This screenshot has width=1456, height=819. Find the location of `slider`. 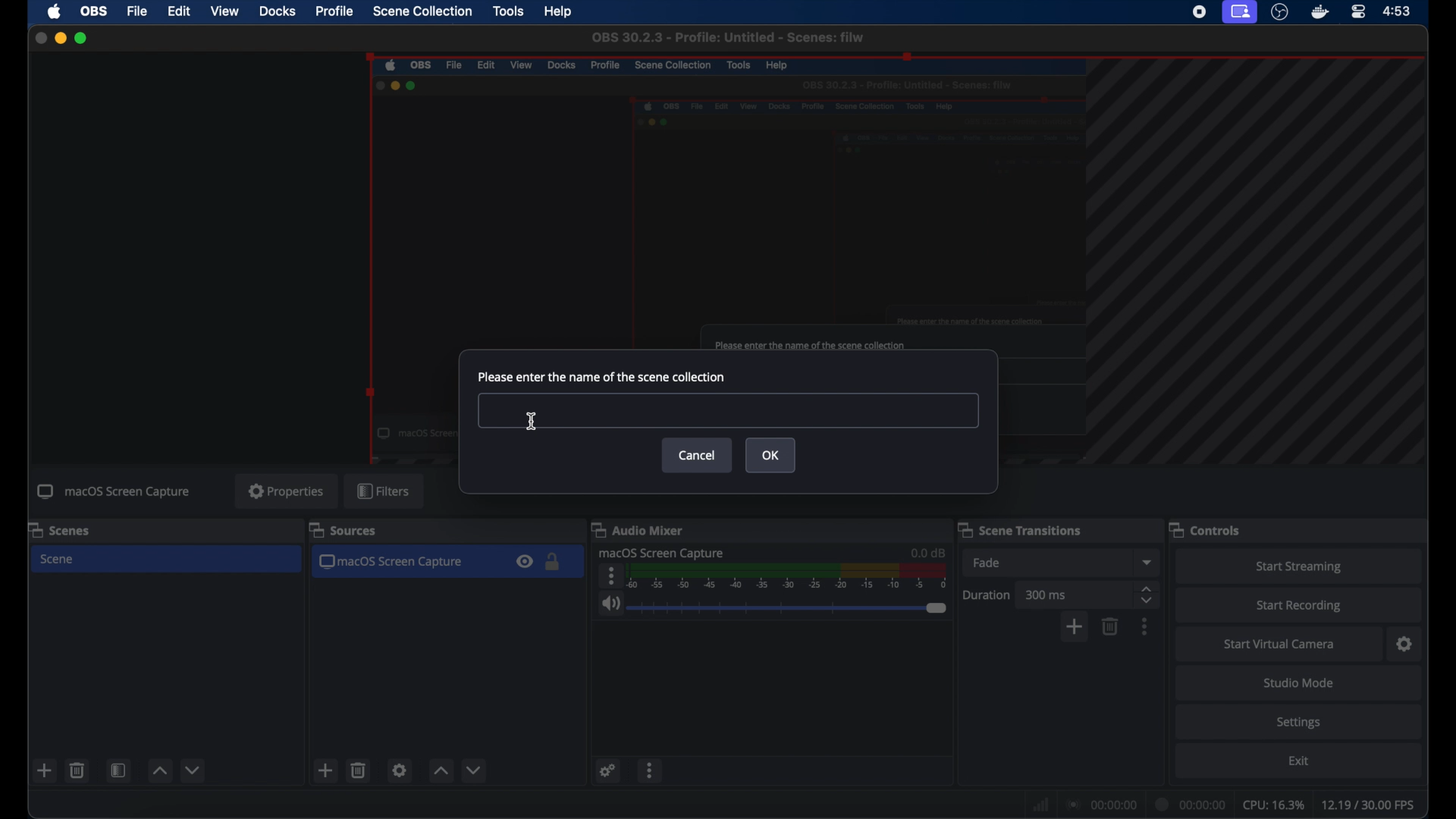

slider is located at coordinates (787, 608).